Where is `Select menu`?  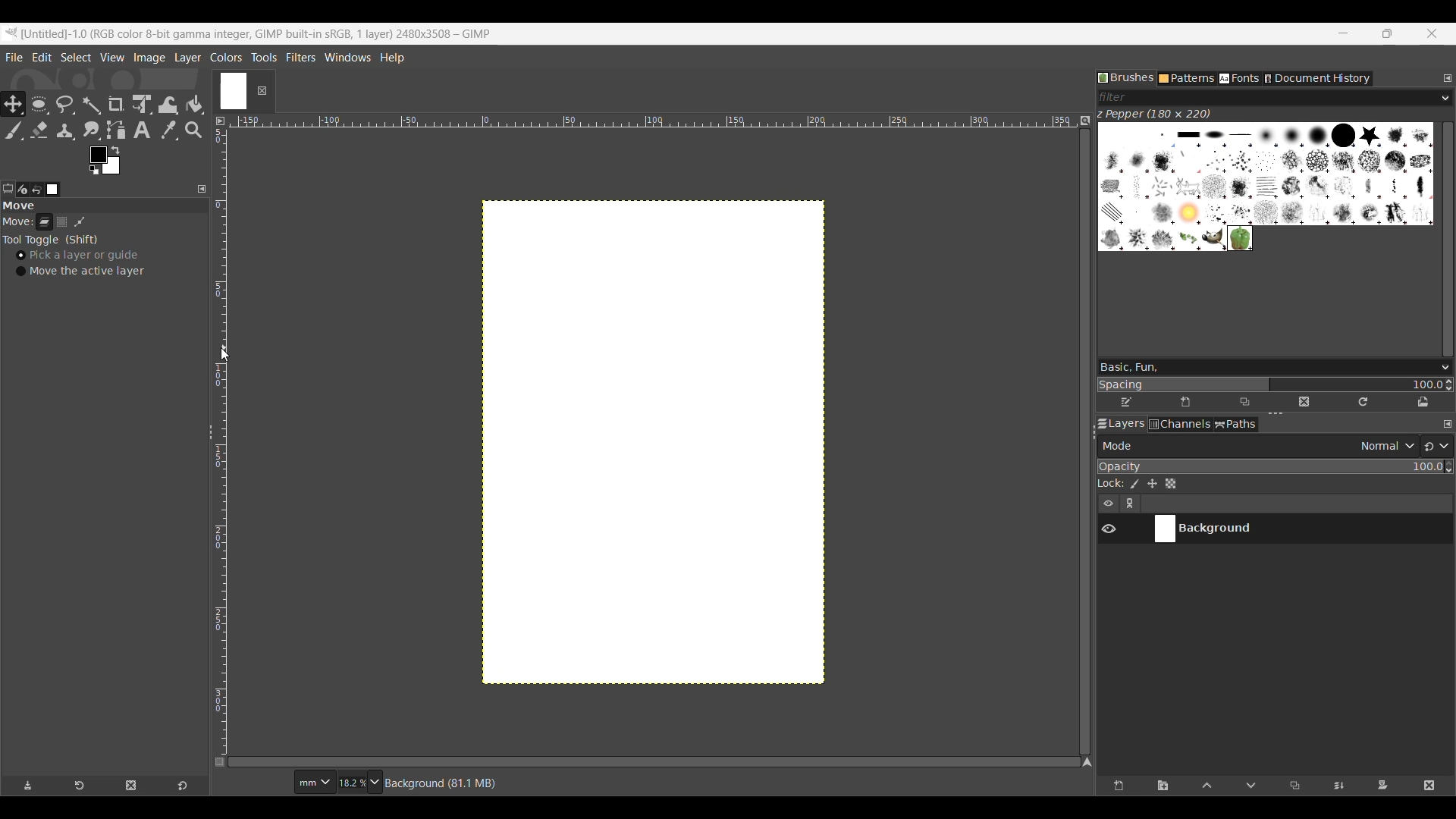
Select menu is located at coordinates (76, 57).